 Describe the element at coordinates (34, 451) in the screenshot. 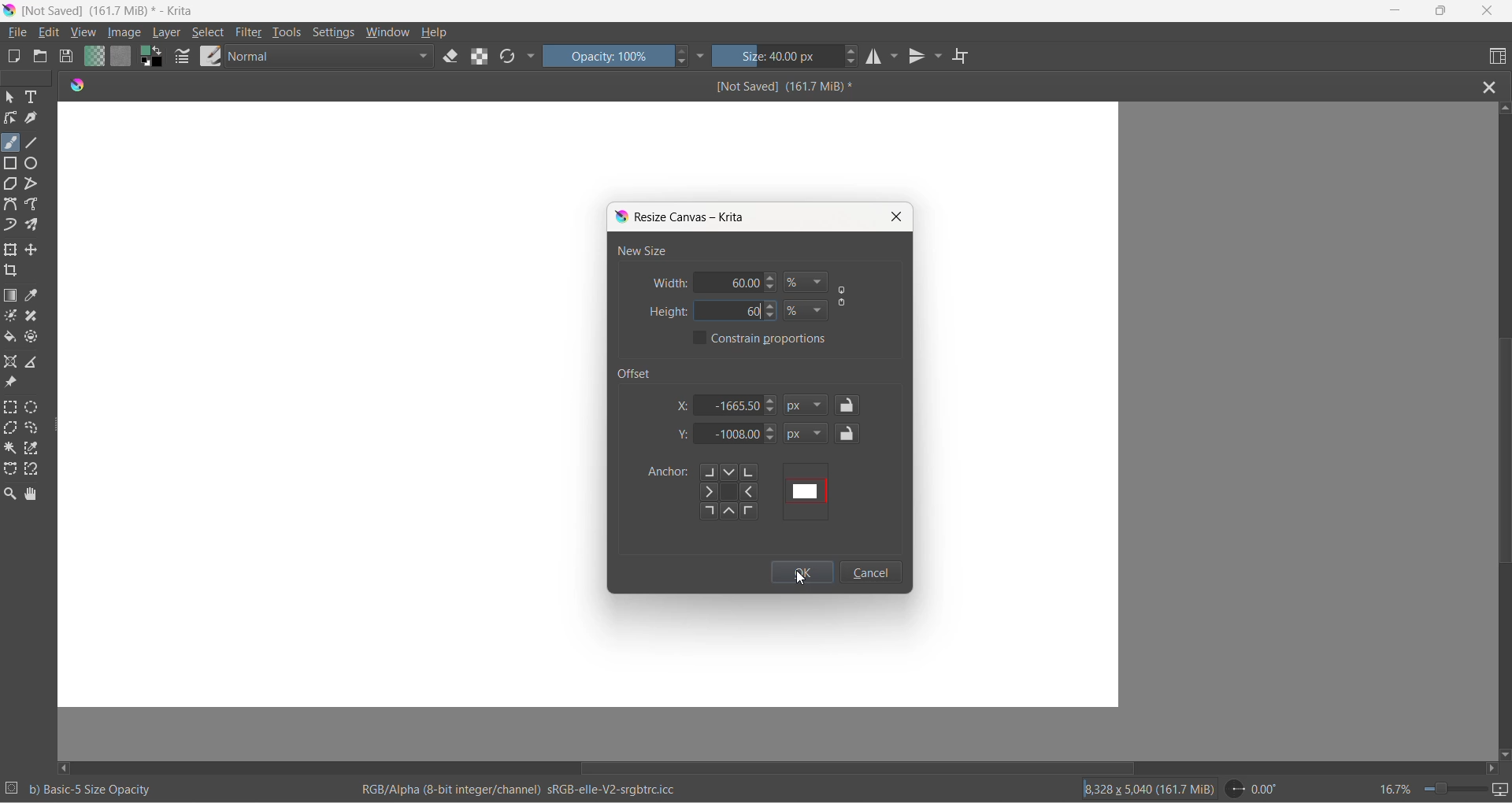

I see `similar color selection tool` at that location.